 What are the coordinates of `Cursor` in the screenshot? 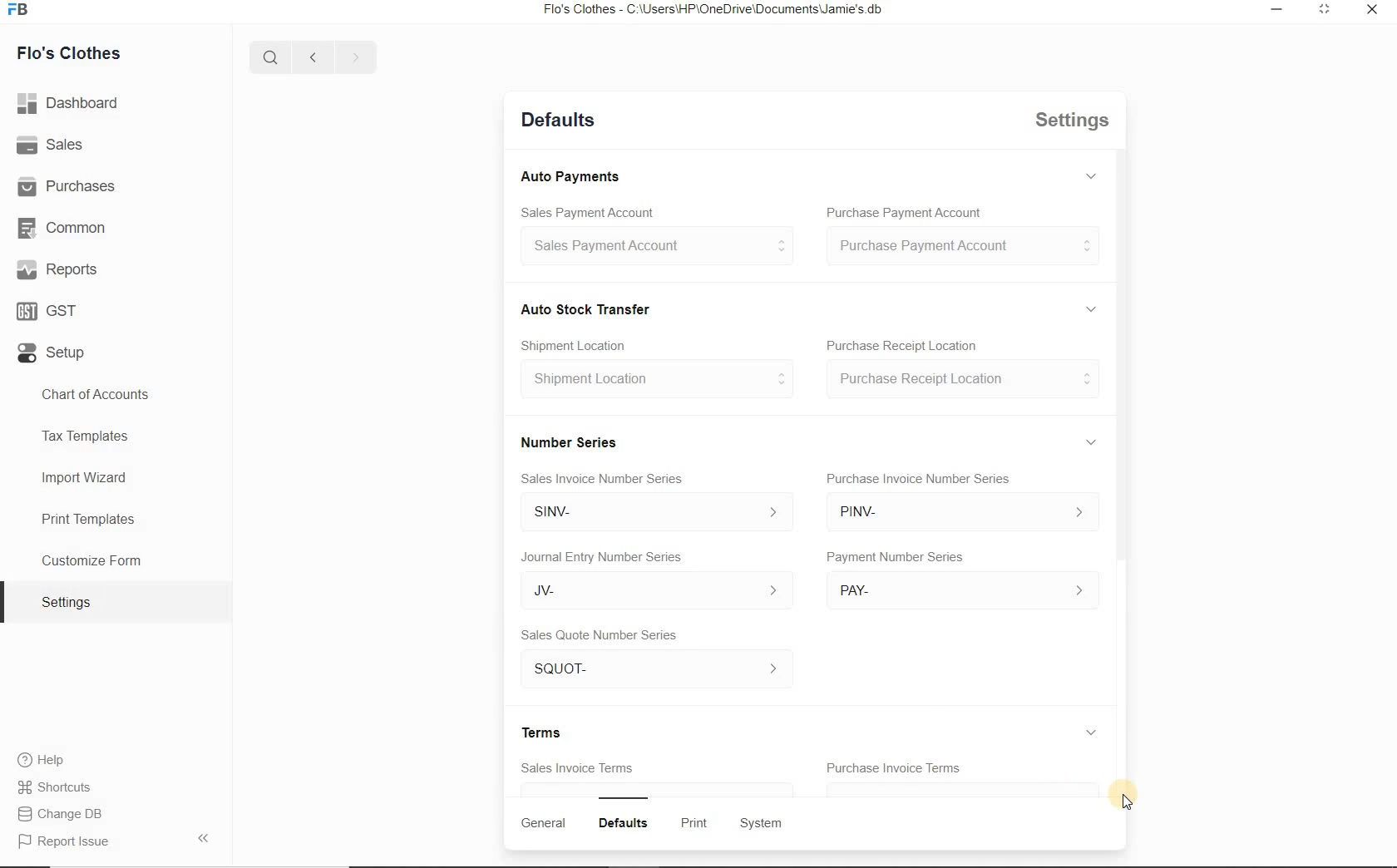 It's located at (1122, 803).